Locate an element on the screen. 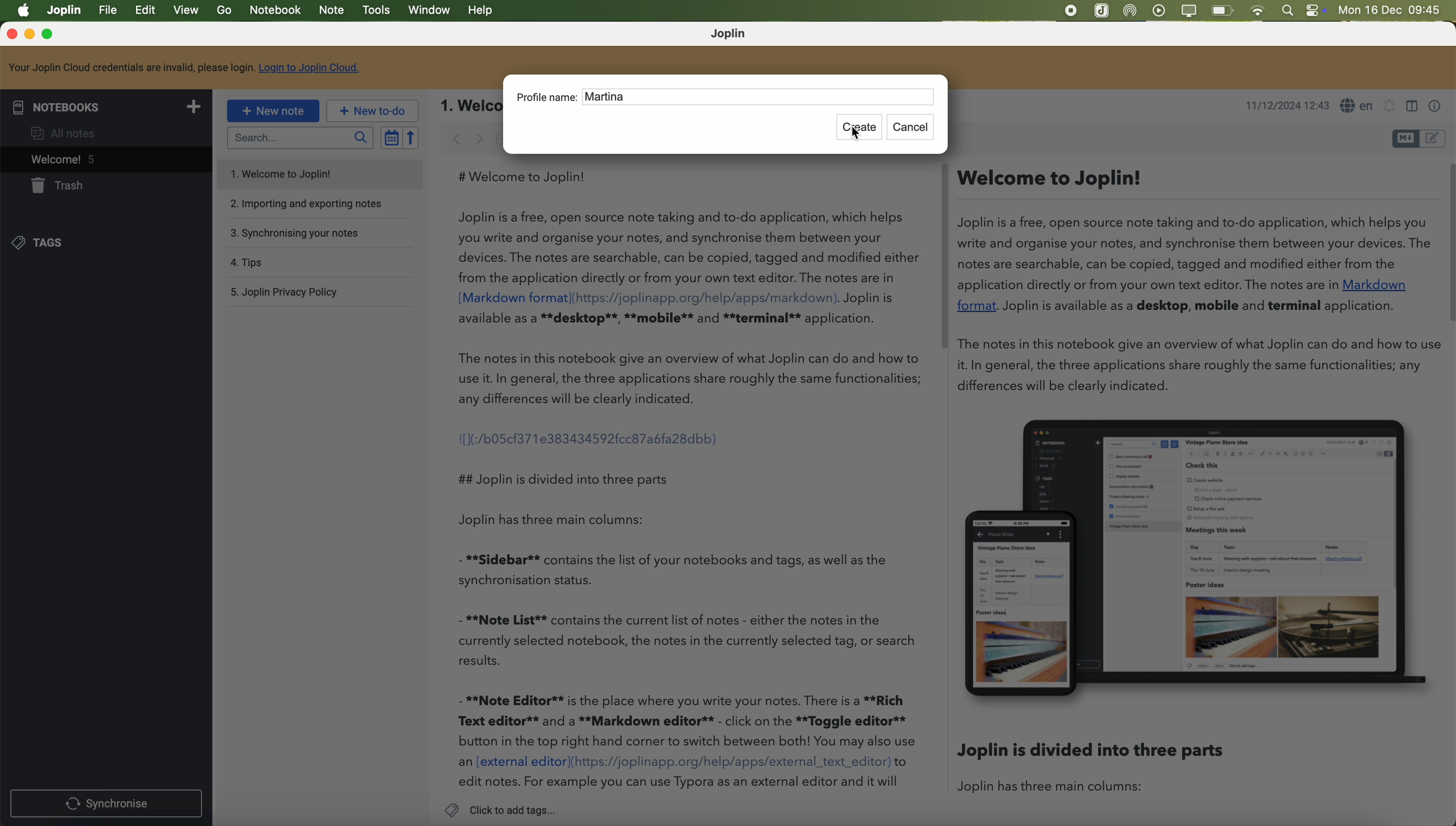  window is located at coordinates (429, 11).